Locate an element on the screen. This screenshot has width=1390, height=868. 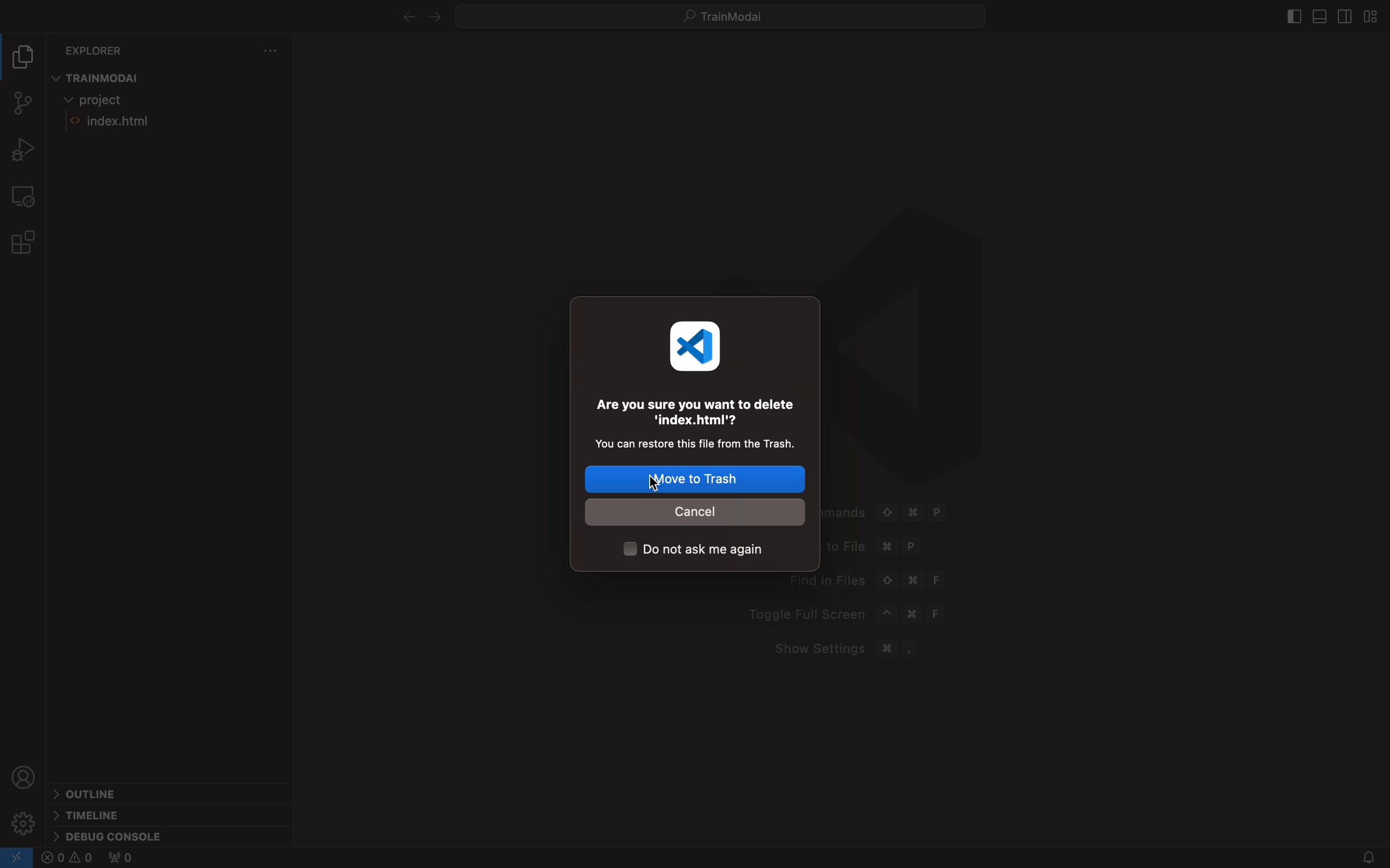
move to thrash is located at coordinates (696, 480).